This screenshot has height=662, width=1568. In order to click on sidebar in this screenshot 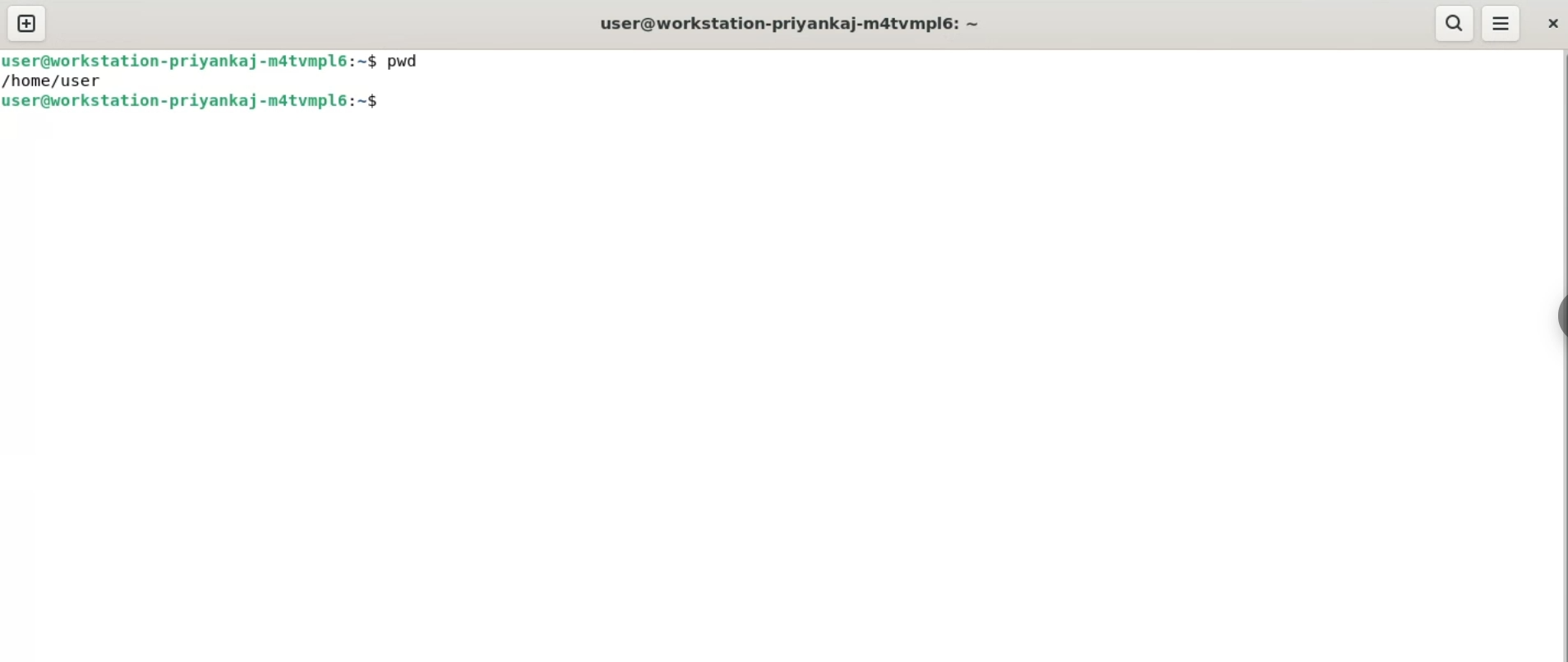, I will do `click(1555, 317)`.